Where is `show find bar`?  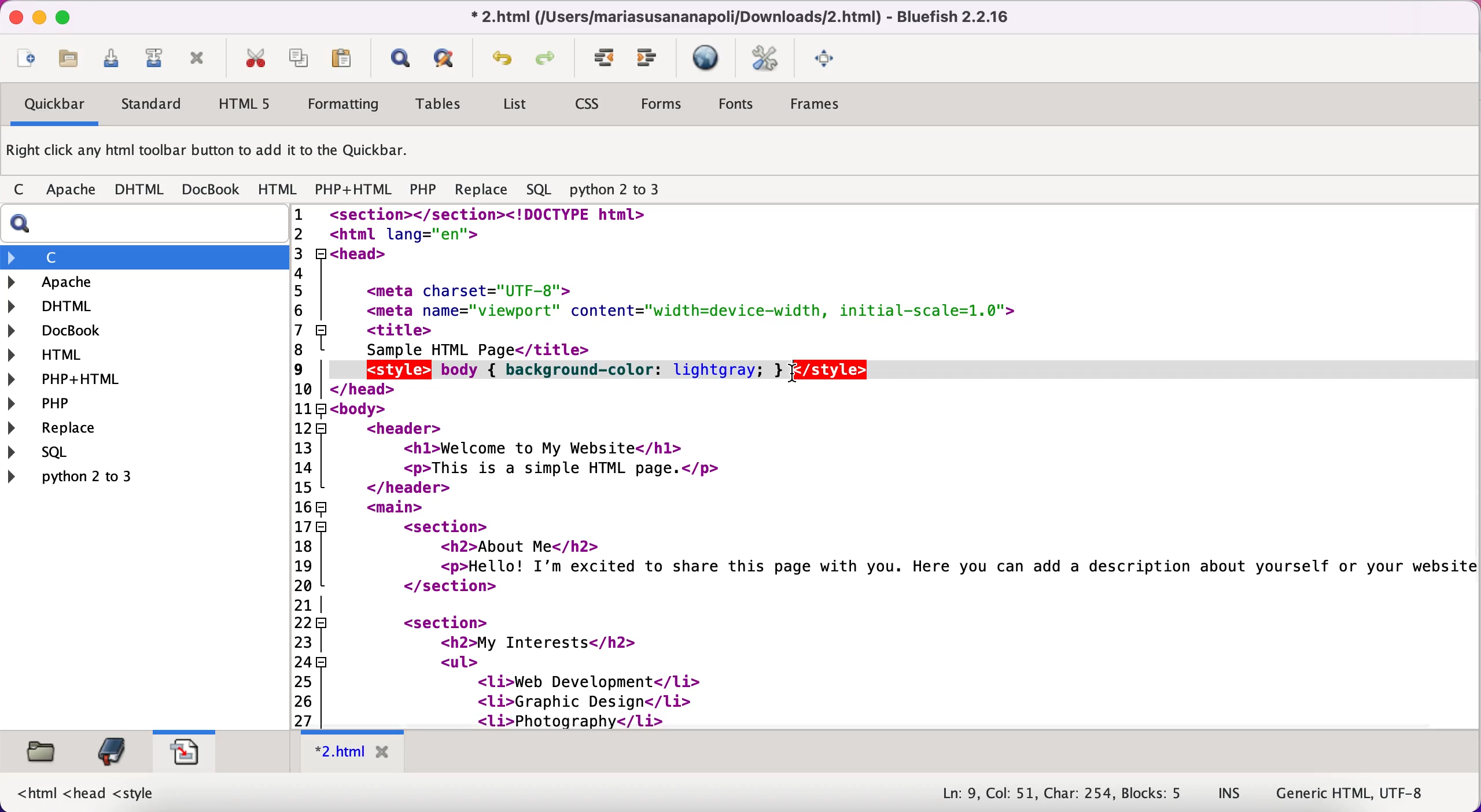
show find bar is located at coordinates (400, 60).